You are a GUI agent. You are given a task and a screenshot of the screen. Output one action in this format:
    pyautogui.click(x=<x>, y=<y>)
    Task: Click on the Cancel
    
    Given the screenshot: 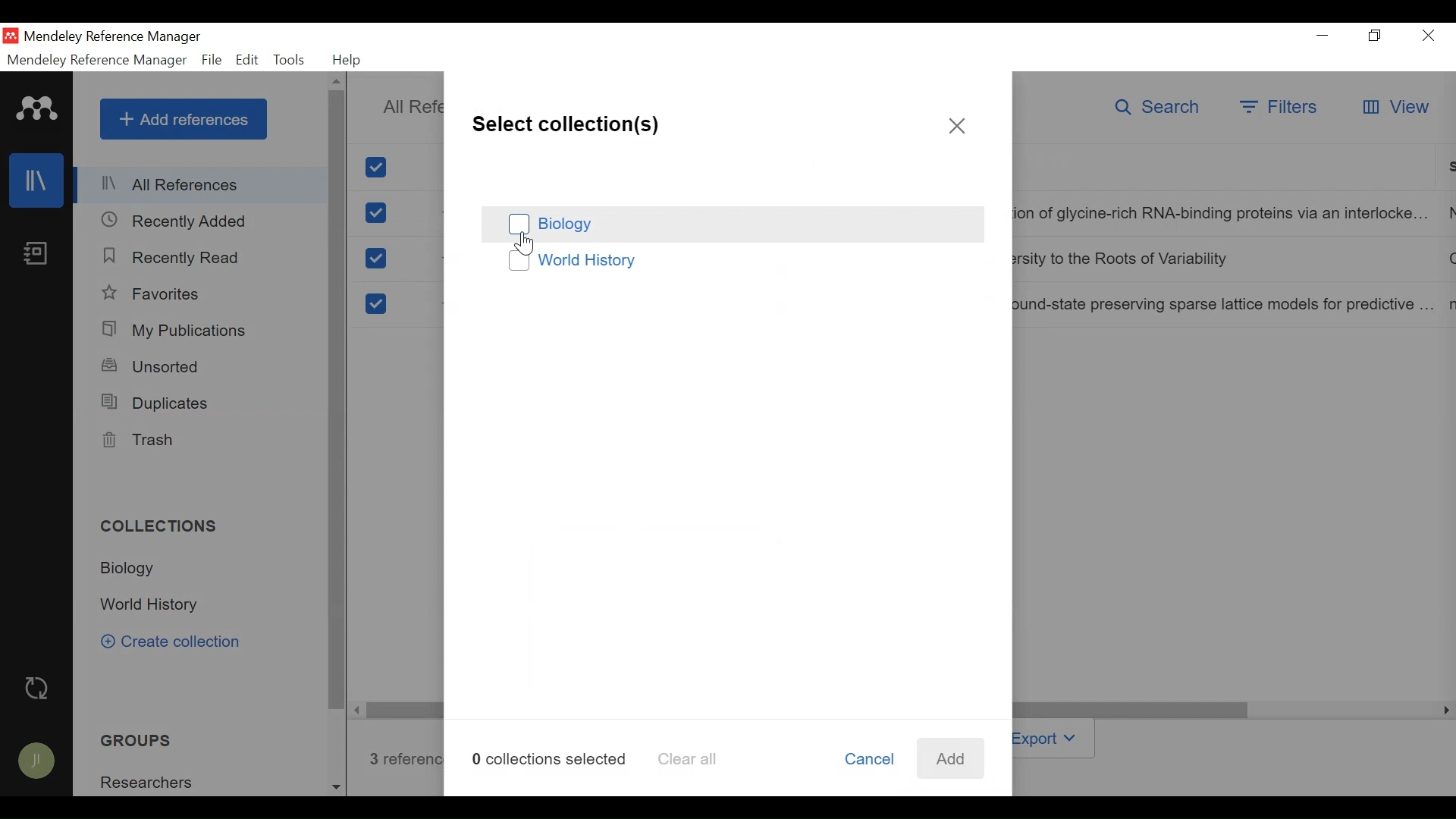 What is the action you would take?
    pyautogui.click(x=868, y=760)
    